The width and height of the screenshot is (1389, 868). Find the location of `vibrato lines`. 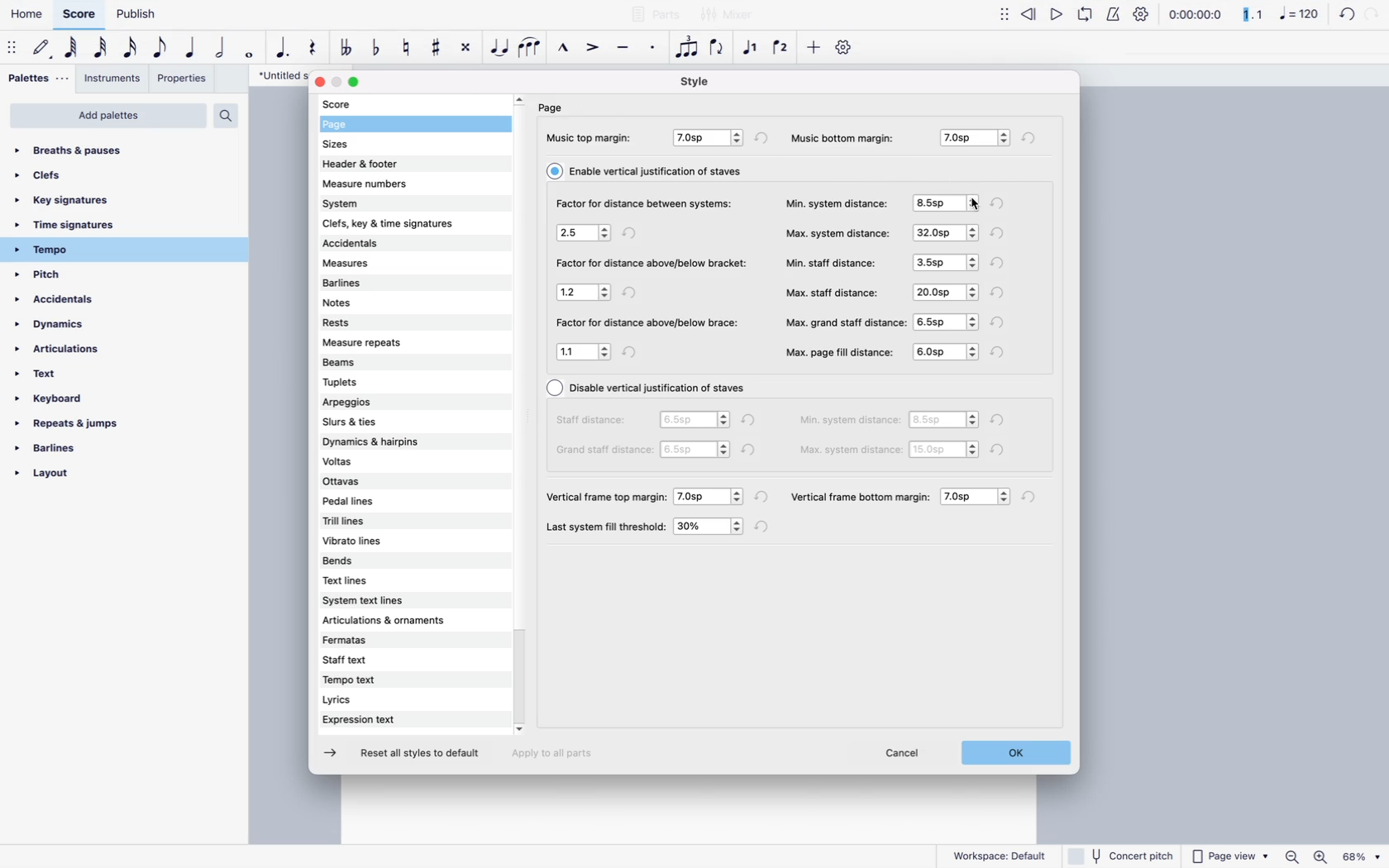

vibrato lines is located at coordinates (377, 540).